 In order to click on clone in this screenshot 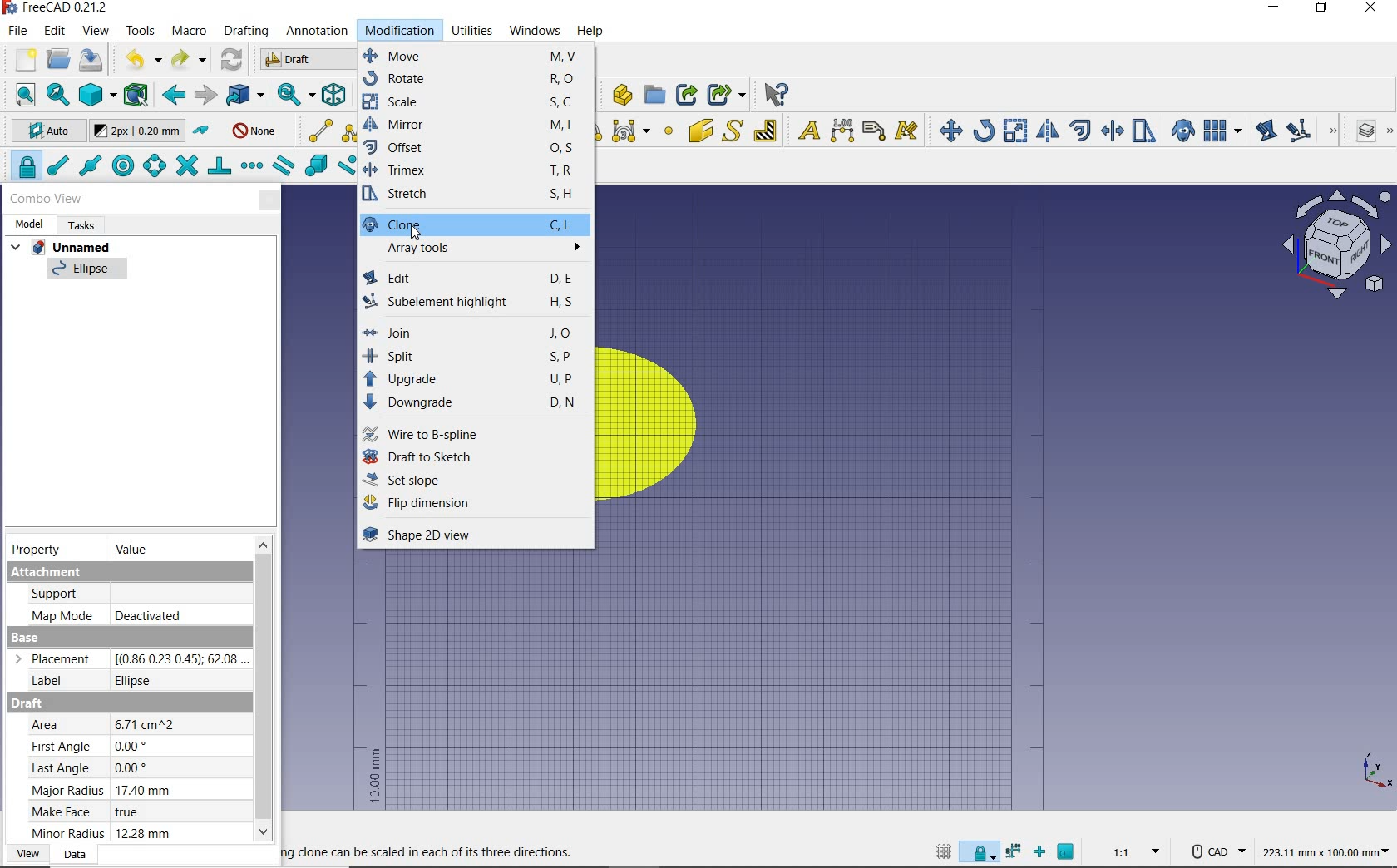, I will do `click(474, 224)`.